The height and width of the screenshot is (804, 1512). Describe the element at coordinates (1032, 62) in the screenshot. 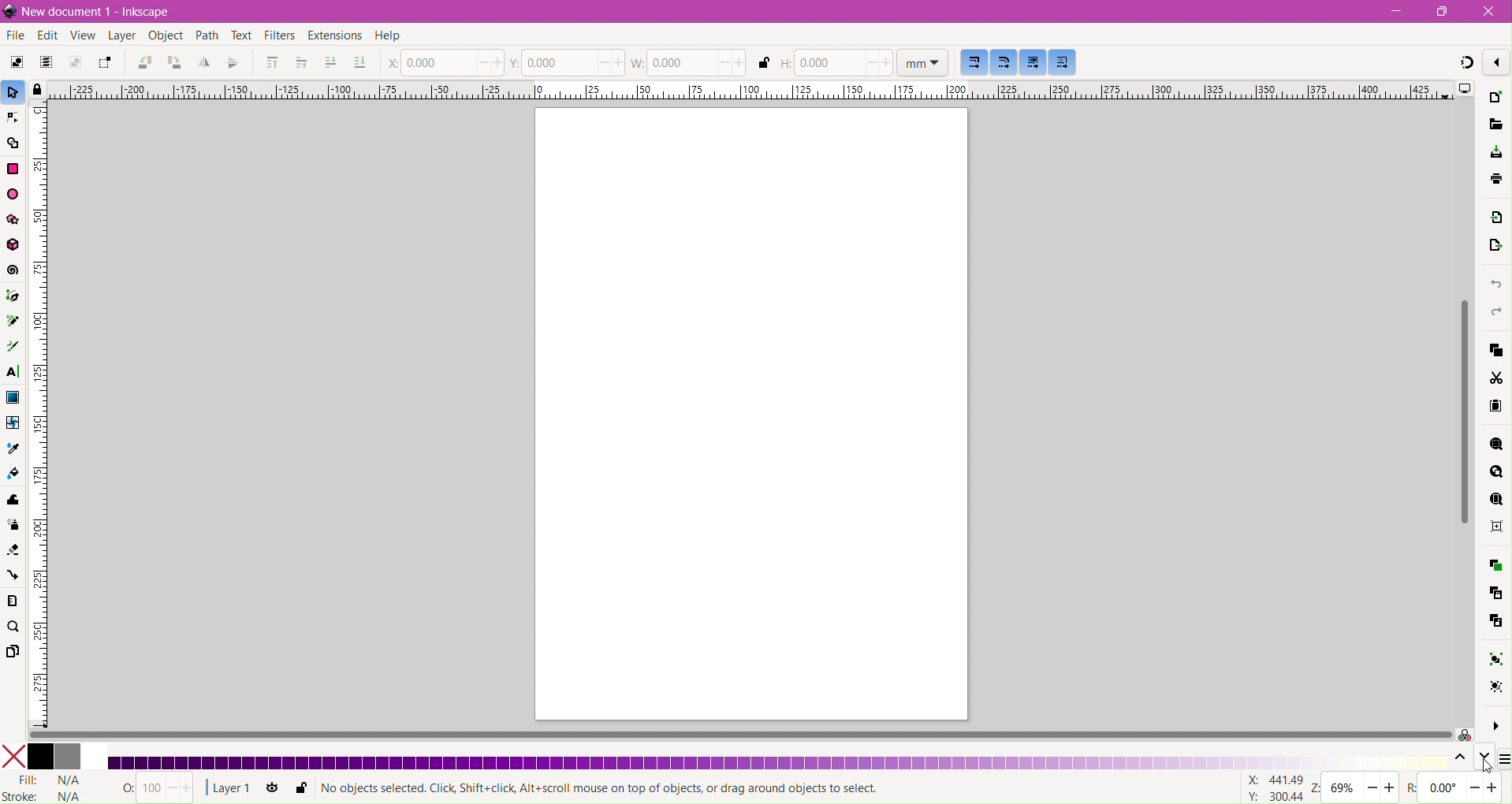

I see `Move gradients along with the objects` at that location.